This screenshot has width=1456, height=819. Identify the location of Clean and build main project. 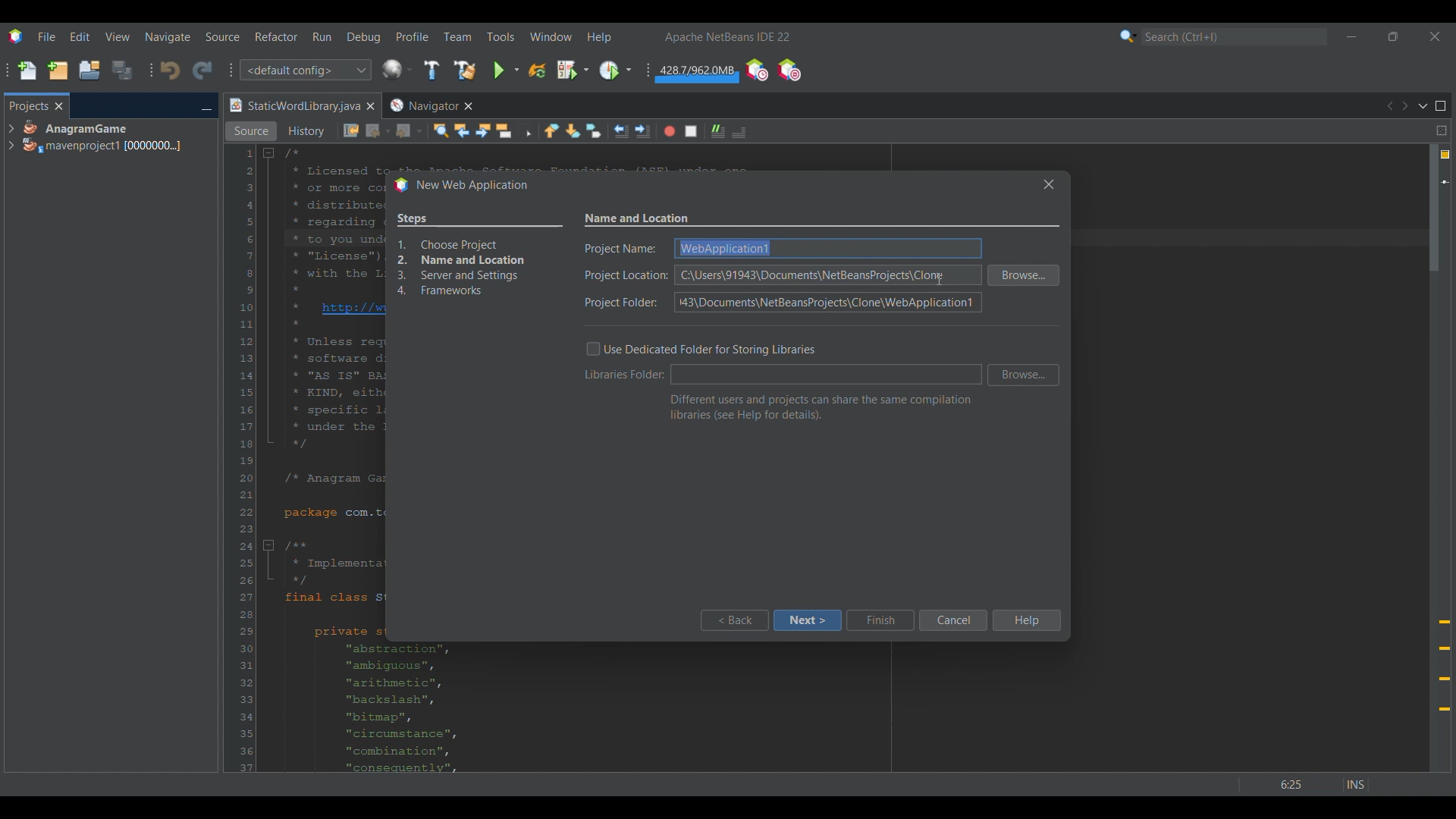
(464, 70).